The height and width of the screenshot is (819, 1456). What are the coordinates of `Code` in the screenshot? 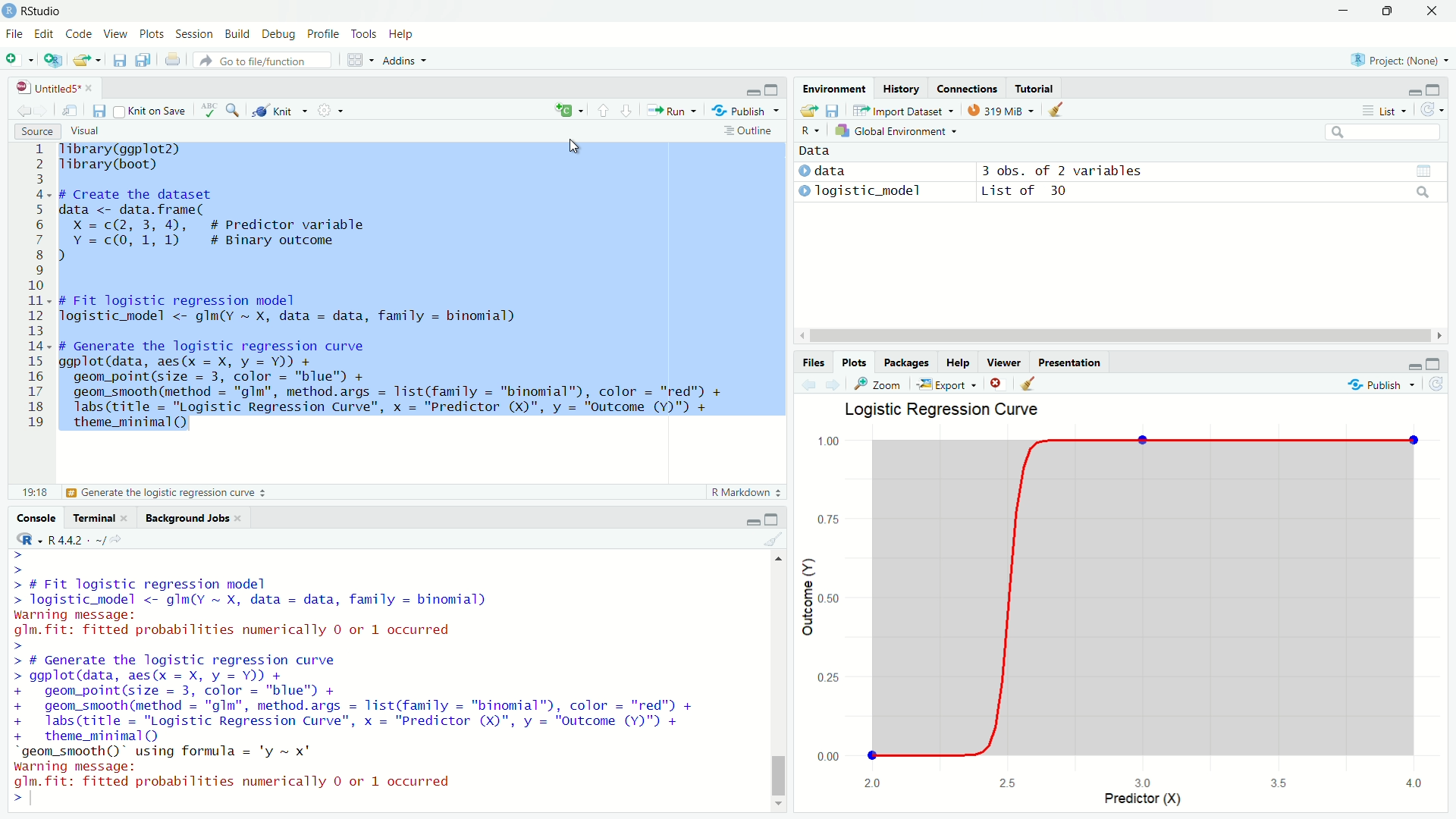 It's located at (77, 33).